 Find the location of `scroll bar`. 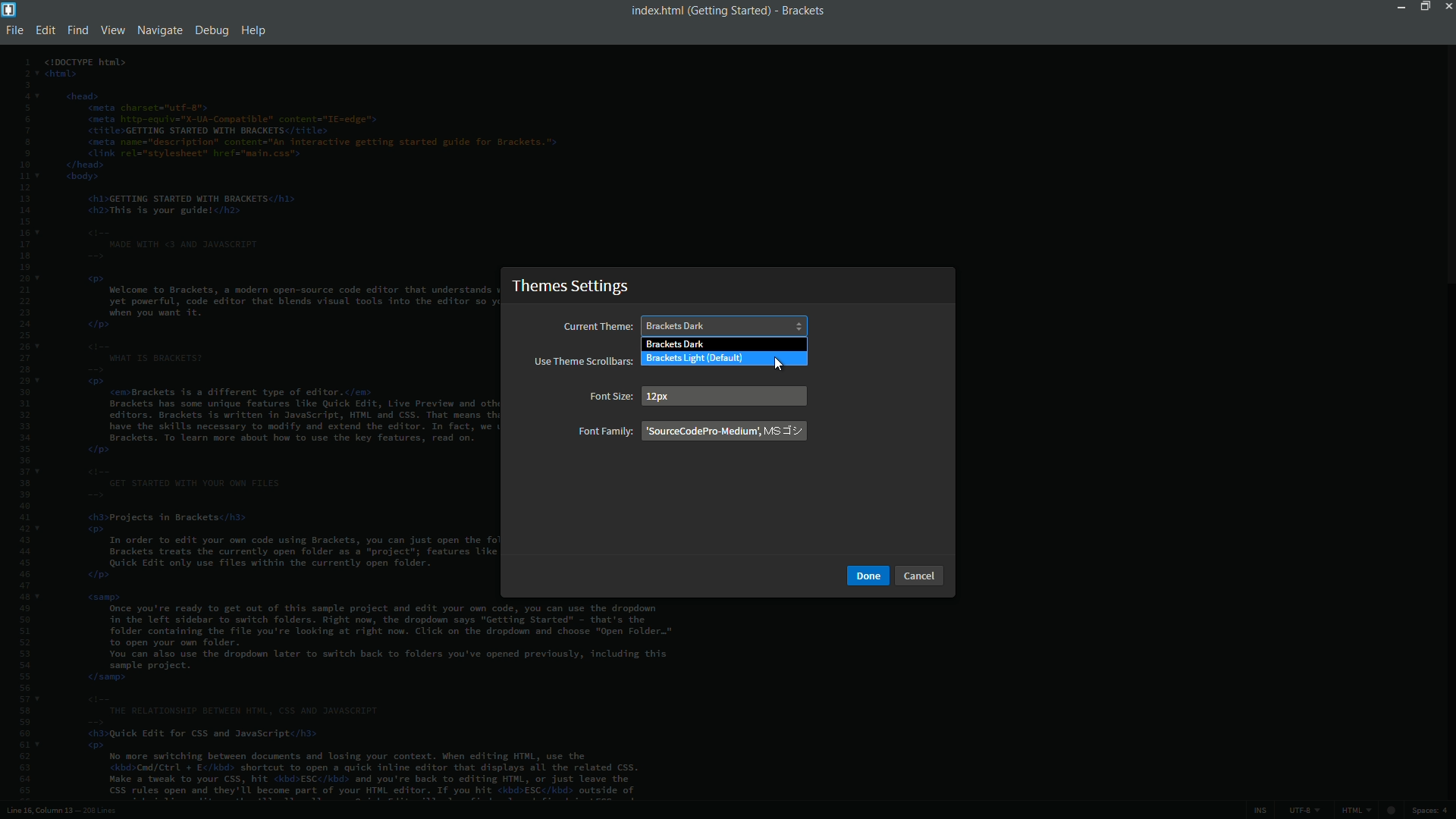

scroll bar is located at coordinates (1447, 168).